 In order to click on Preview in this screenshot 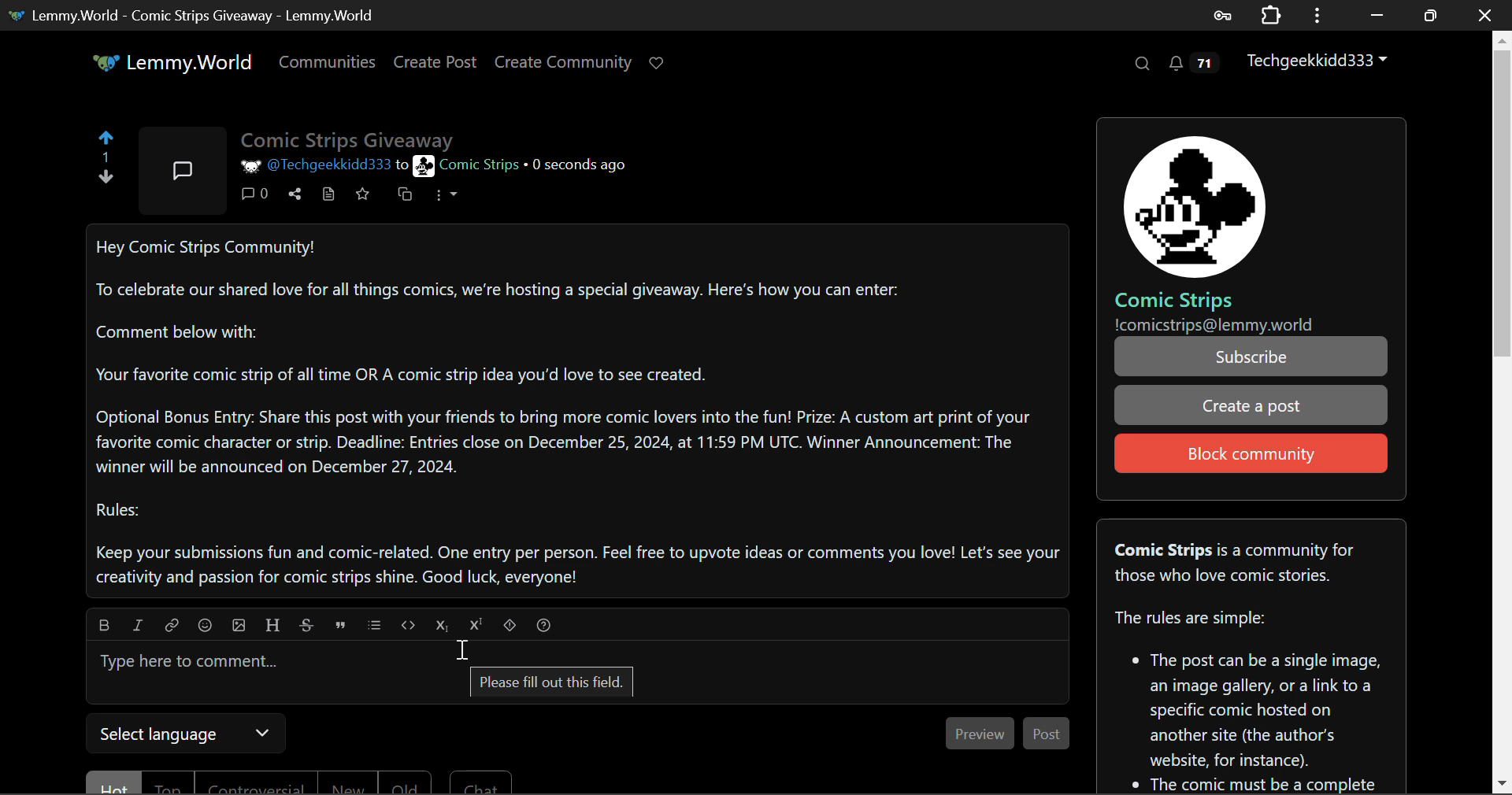, I will do `click(978, 733)`.